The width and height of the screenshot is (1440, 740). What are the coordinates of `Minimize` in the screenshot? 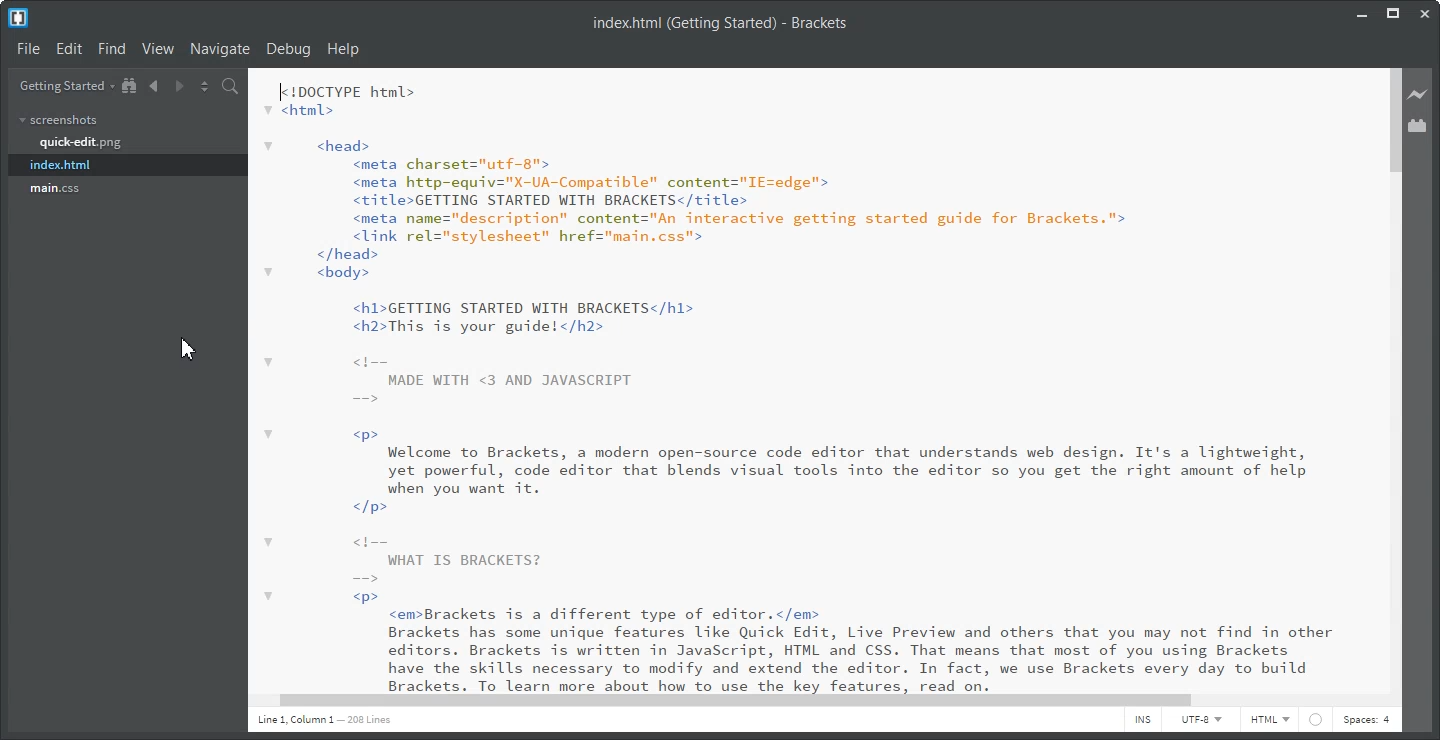 It's located at (1361, 13).